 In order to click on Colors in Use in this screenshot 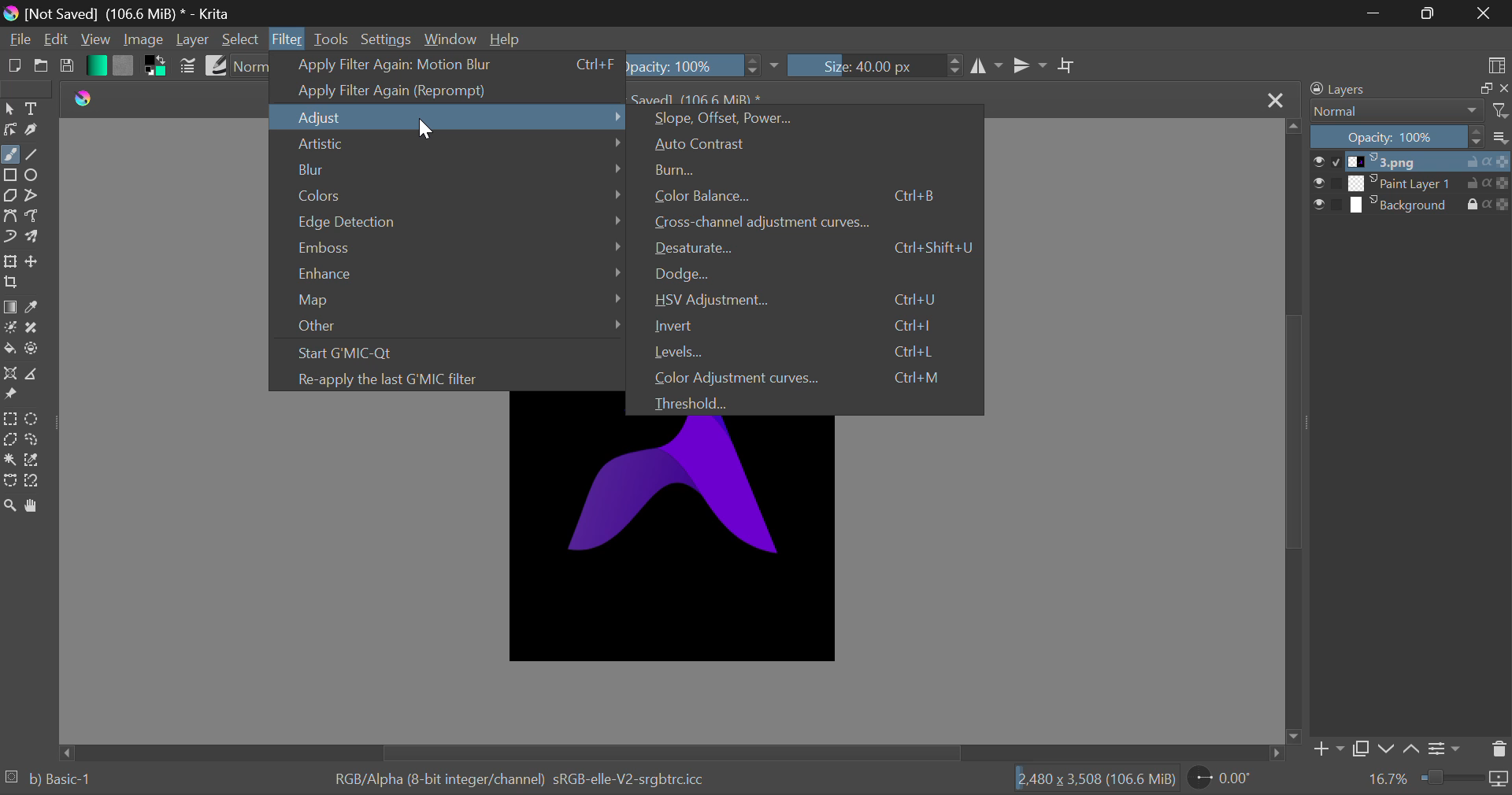, I will do `click(156, 65)`.